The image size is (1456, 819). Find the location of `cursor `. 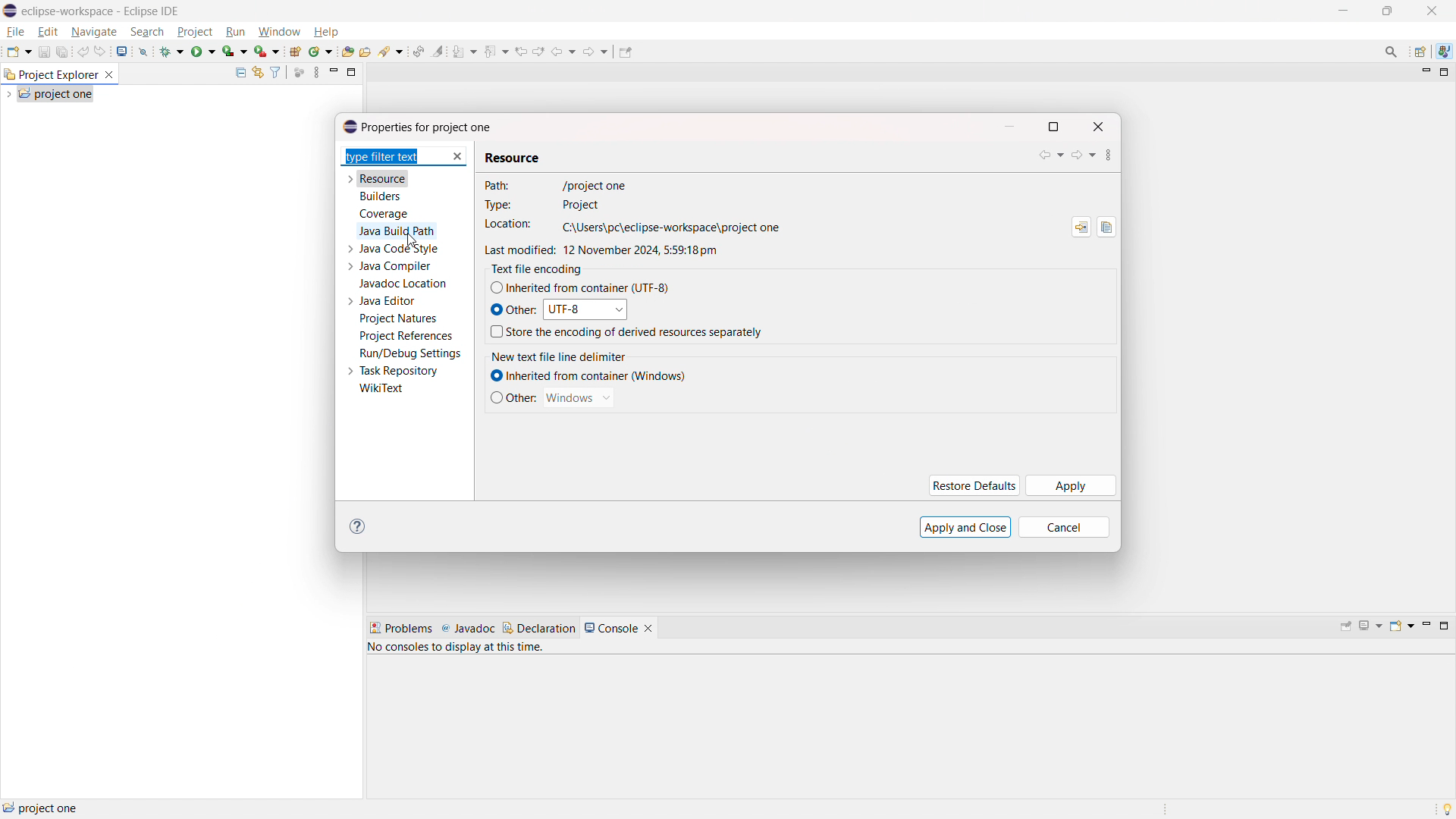

cursor  is located at coordinates (413, 240).